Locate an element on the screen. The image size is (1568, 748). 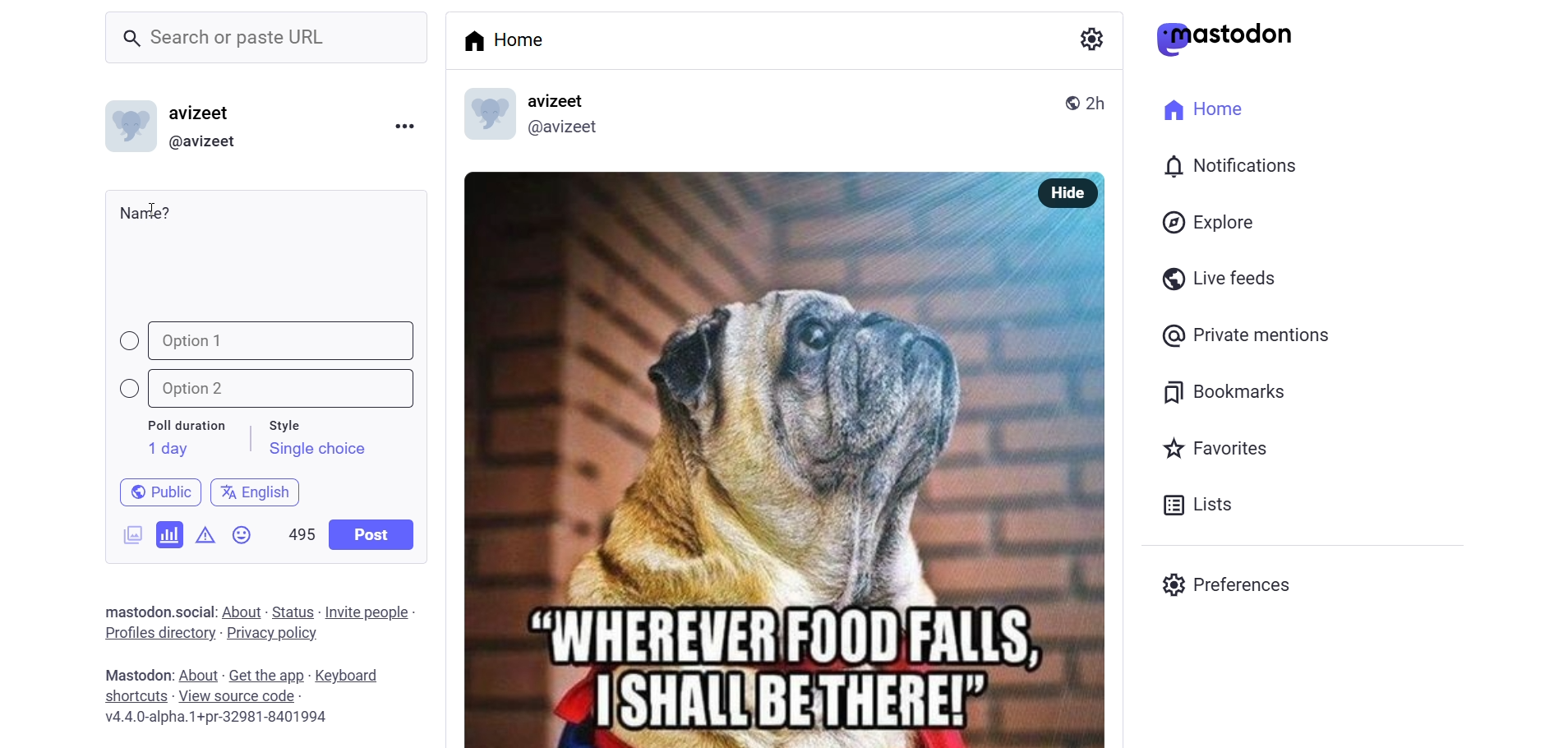
avizeet is located at coordinates (560, 102).